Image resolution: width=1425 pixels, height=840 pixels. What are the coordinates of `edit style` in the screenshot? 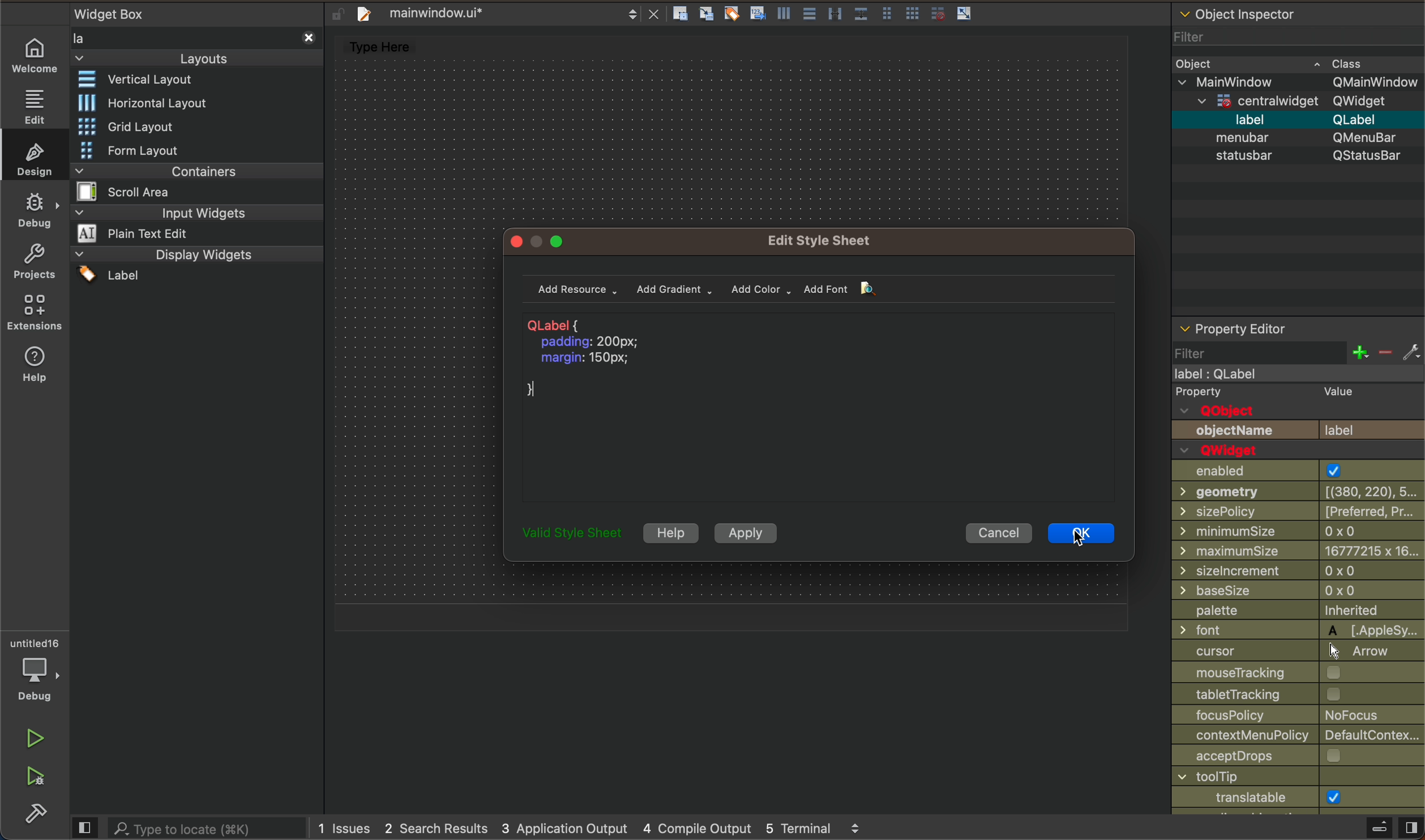 It's located at (825, 239).